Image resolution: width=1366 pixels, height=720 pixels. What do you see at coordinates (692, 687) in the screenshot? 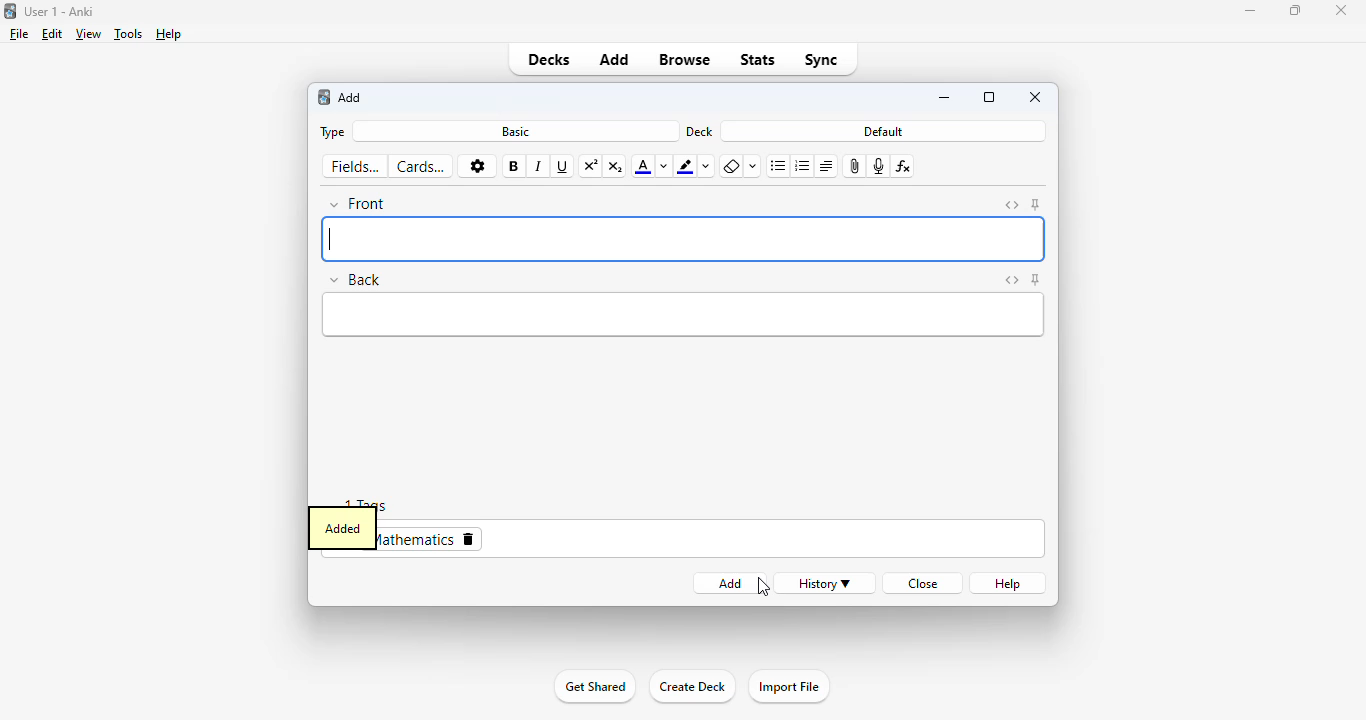
I see `create deck` at bounding box center [692, 687].